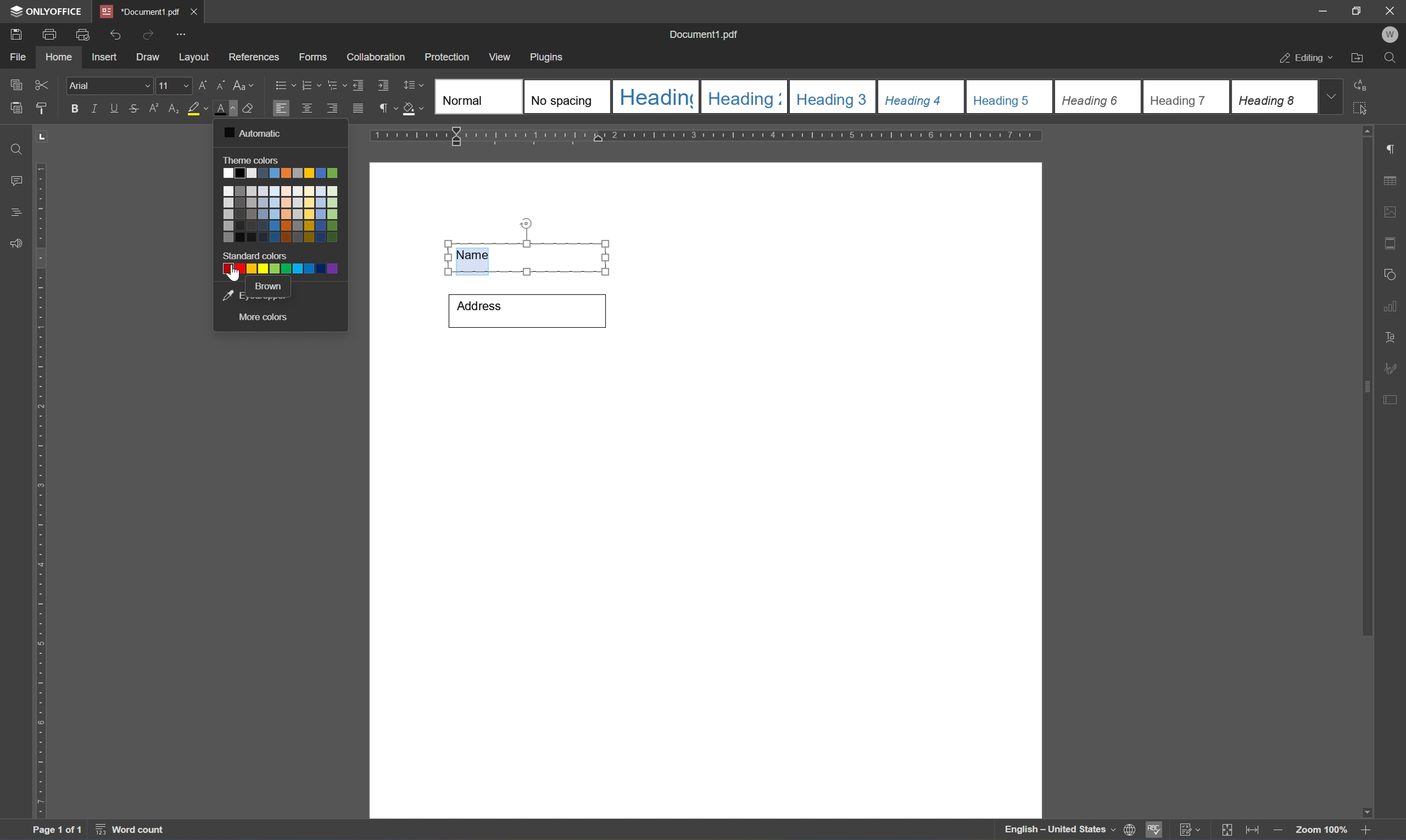 This screenshot has height=840, width=1406. I want to click on clear style, so click(255, 109).